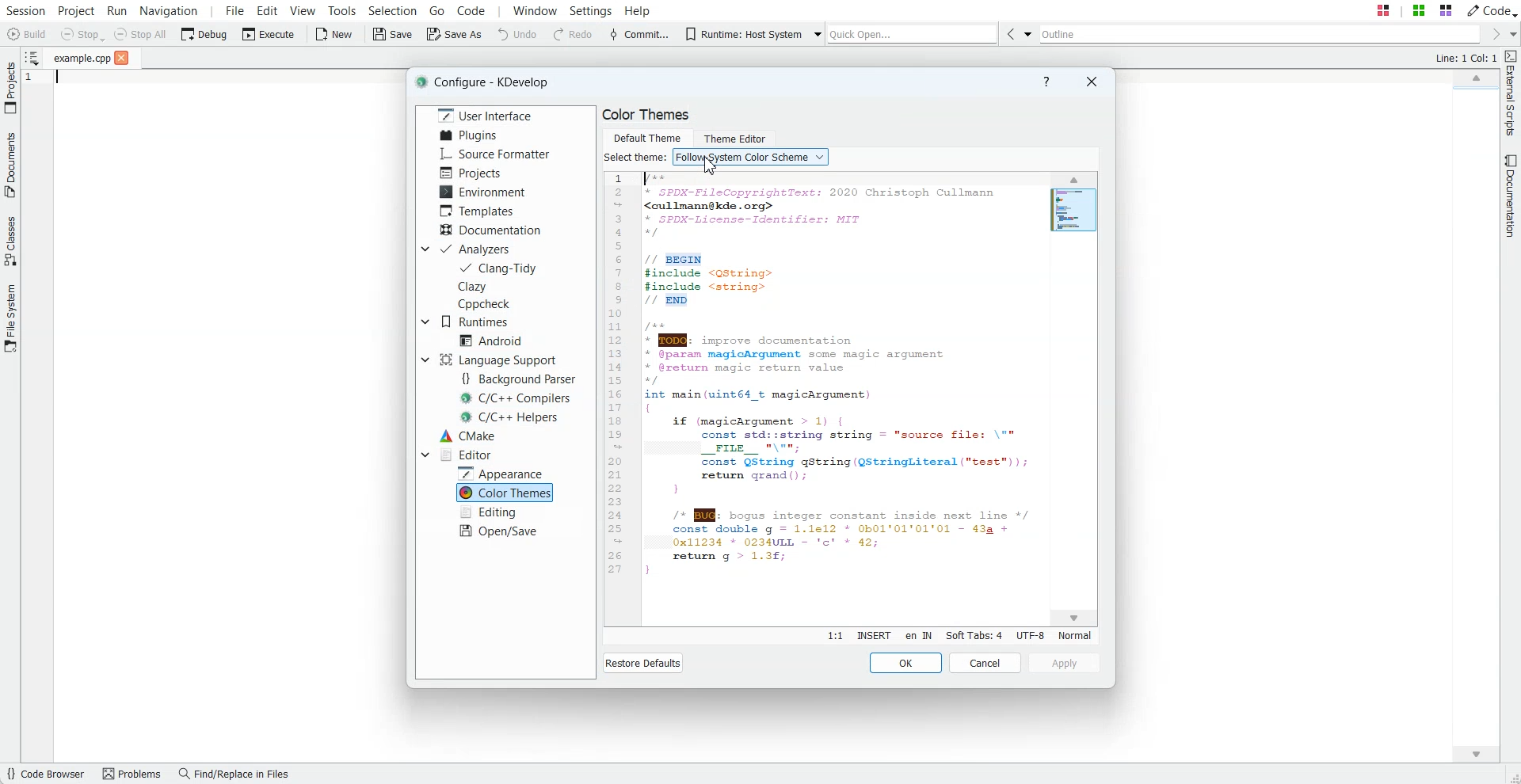 The image size is (1521, 784). I want to click on Android, so click(491, 340).